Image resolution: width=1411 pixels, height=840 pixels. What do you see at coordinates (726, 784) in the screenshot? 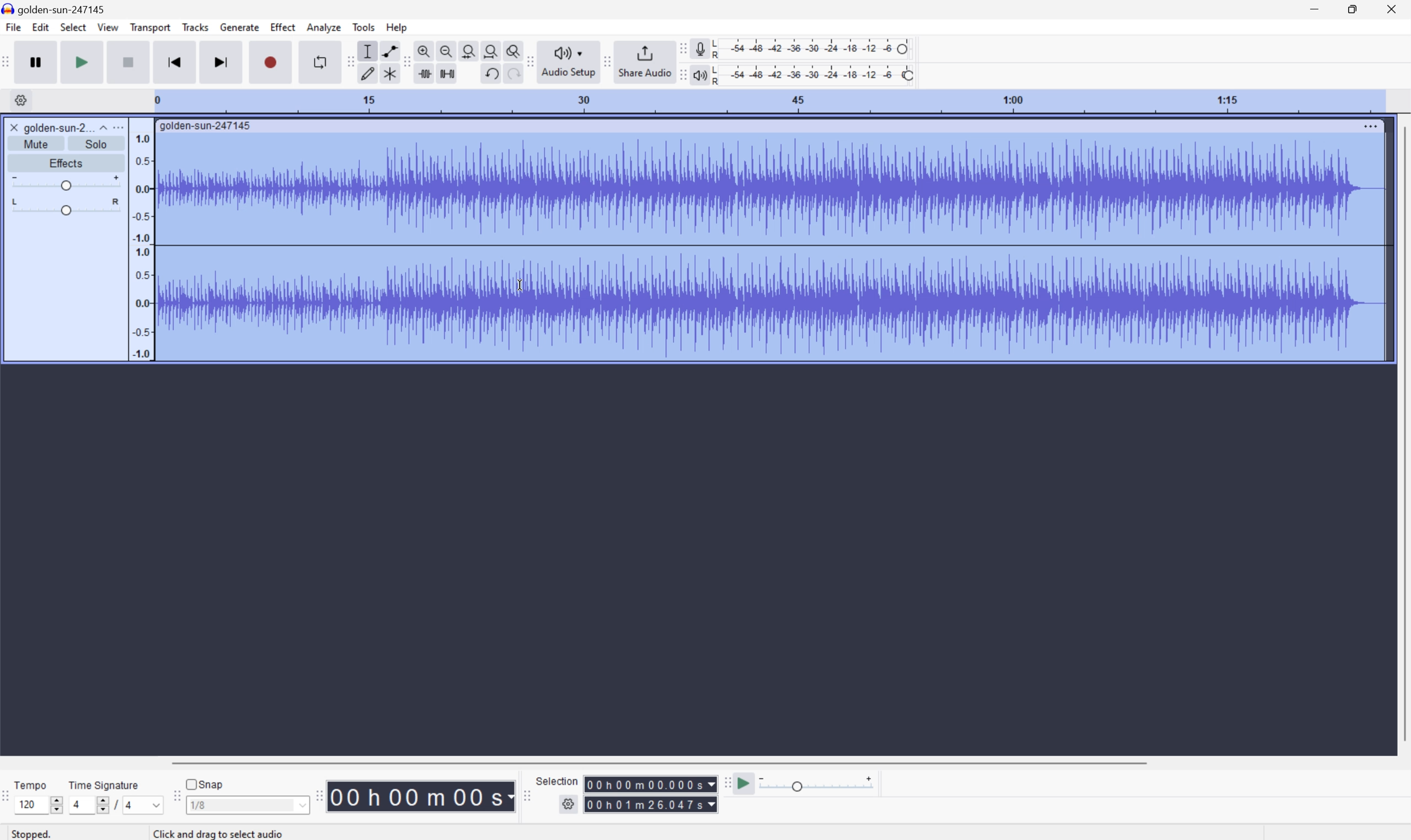
I see `Audacity play at speed toolbar` at bounding box center [726, 784].